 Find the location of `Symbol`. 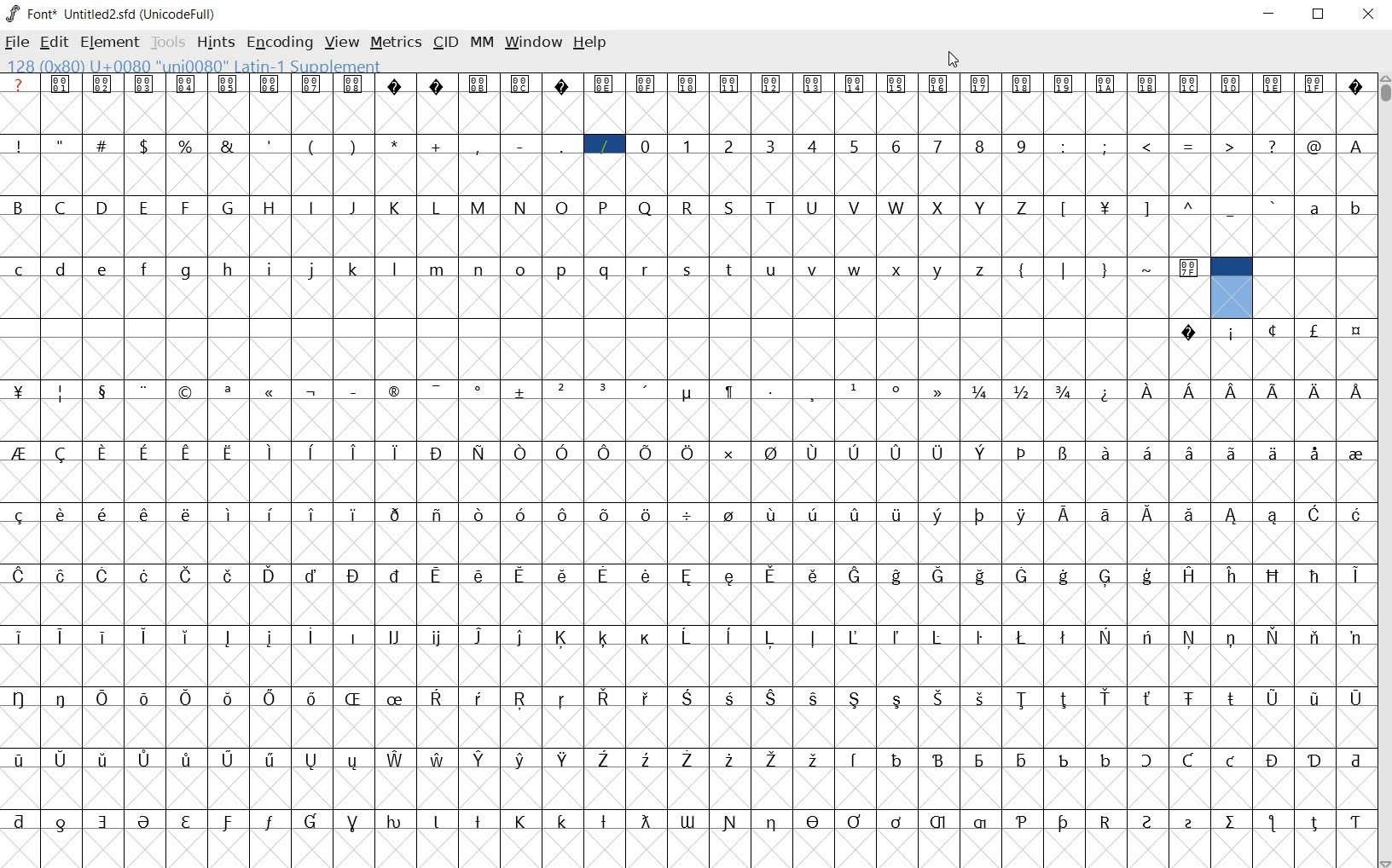

Symbol is located at coordinates (855, 700).